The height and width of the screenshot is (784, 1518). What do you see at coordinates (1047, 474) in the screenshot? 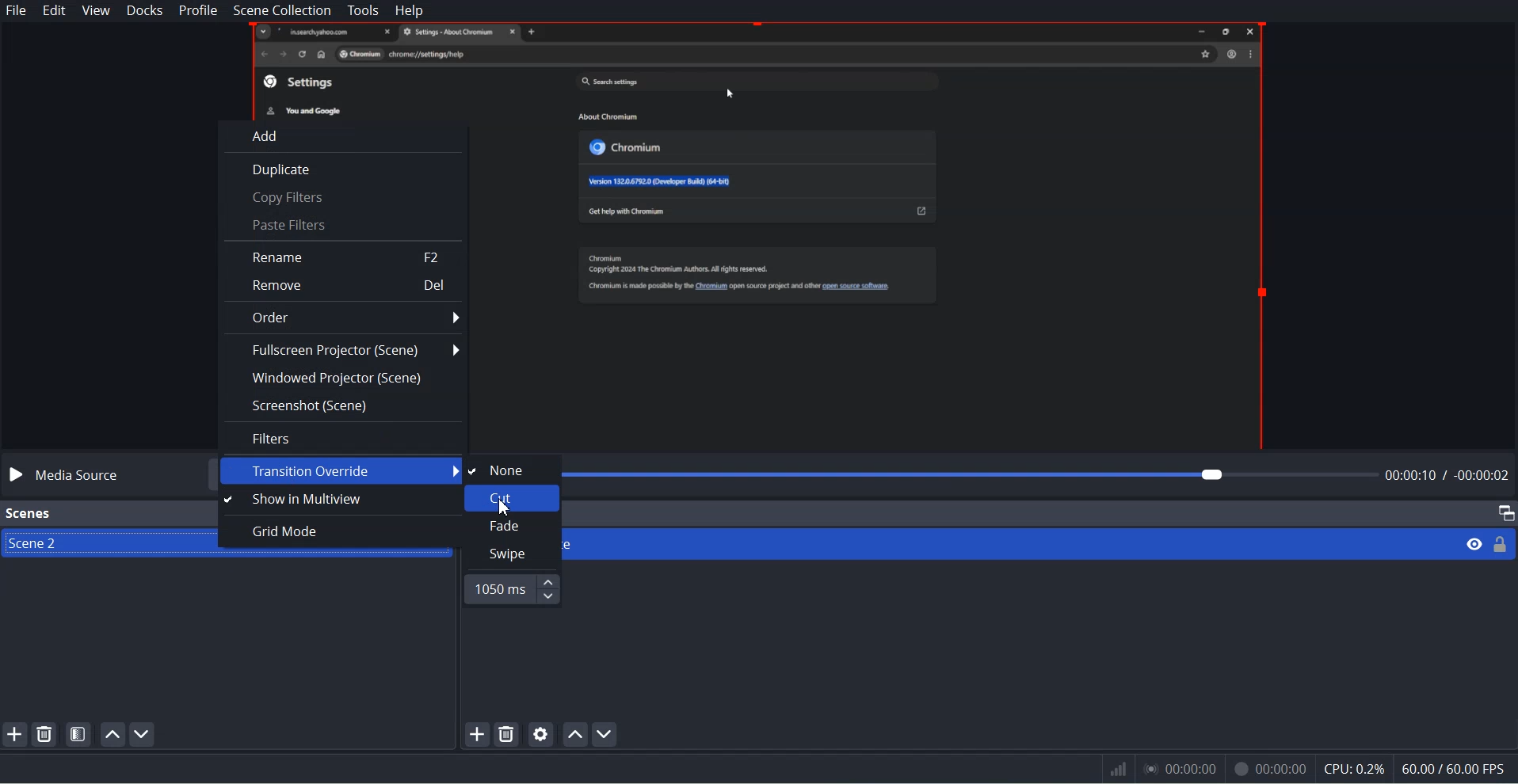
I see `File time adjuster` at bounding box center [1047, 474].